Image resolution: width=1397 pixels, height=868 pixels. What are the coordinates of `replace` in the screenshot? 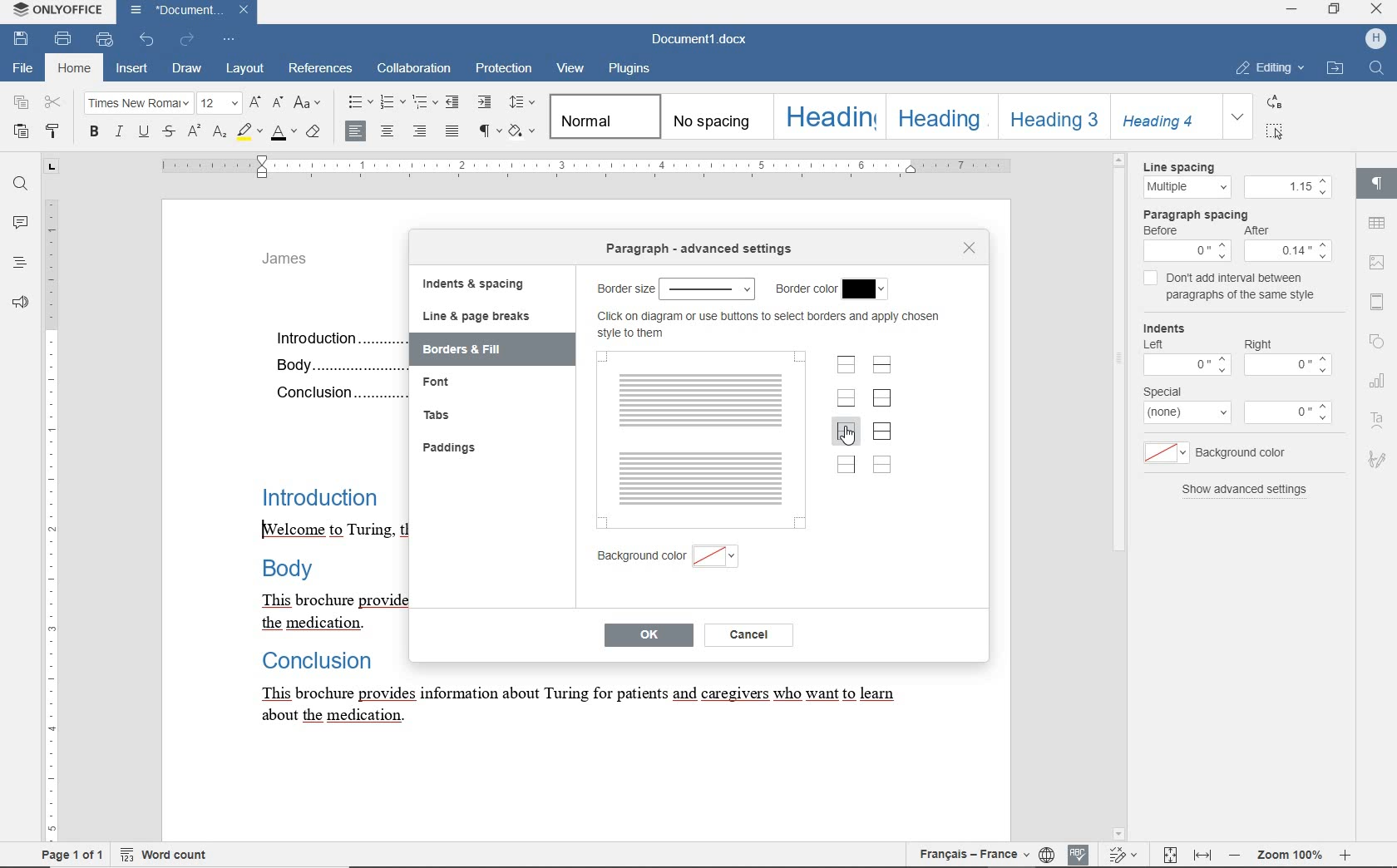 It's located at (1272, 104).